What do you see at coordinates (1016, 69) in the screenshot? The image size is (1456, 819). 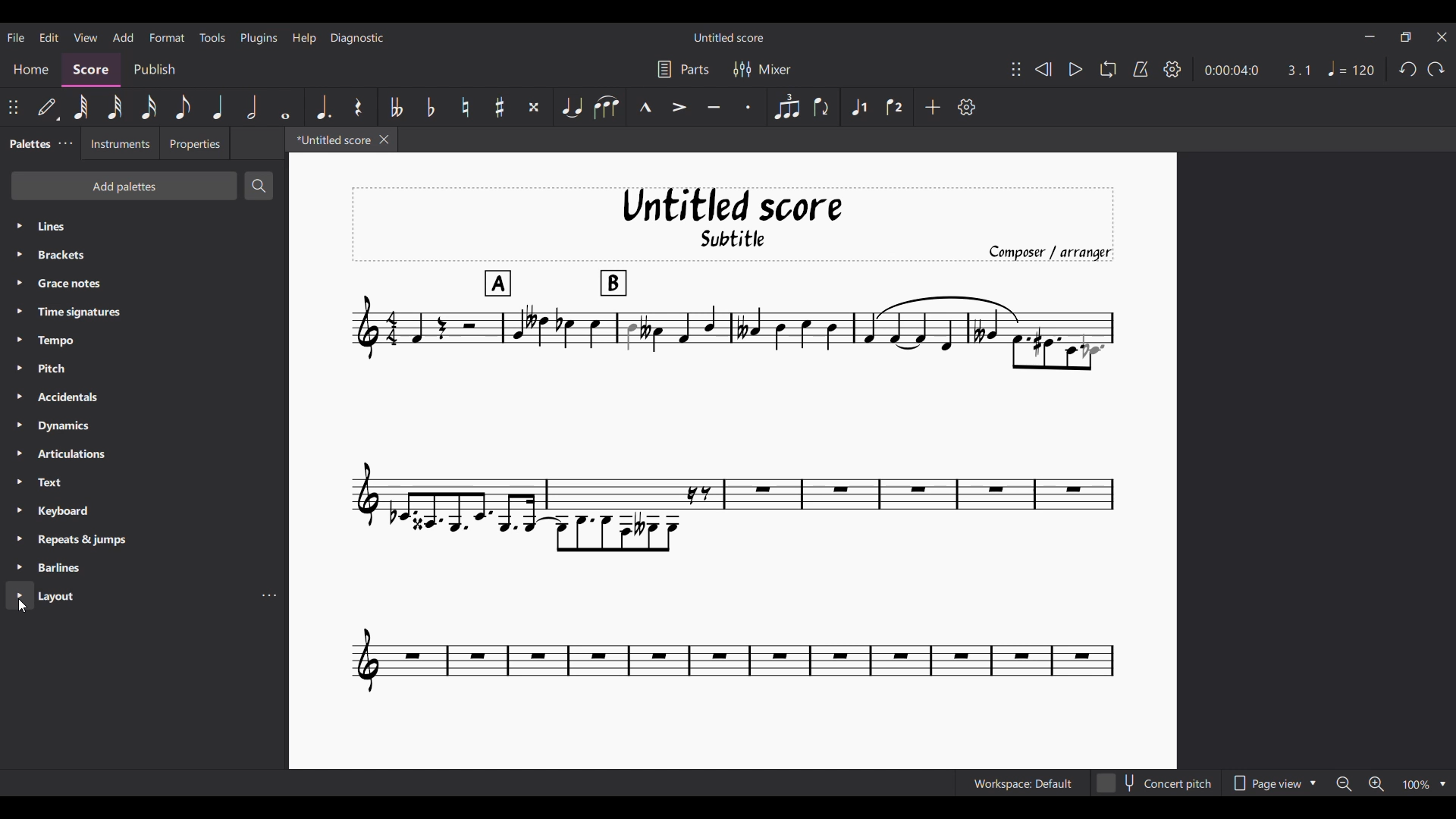 I see `Change position` at bounding box center [1016, 69].